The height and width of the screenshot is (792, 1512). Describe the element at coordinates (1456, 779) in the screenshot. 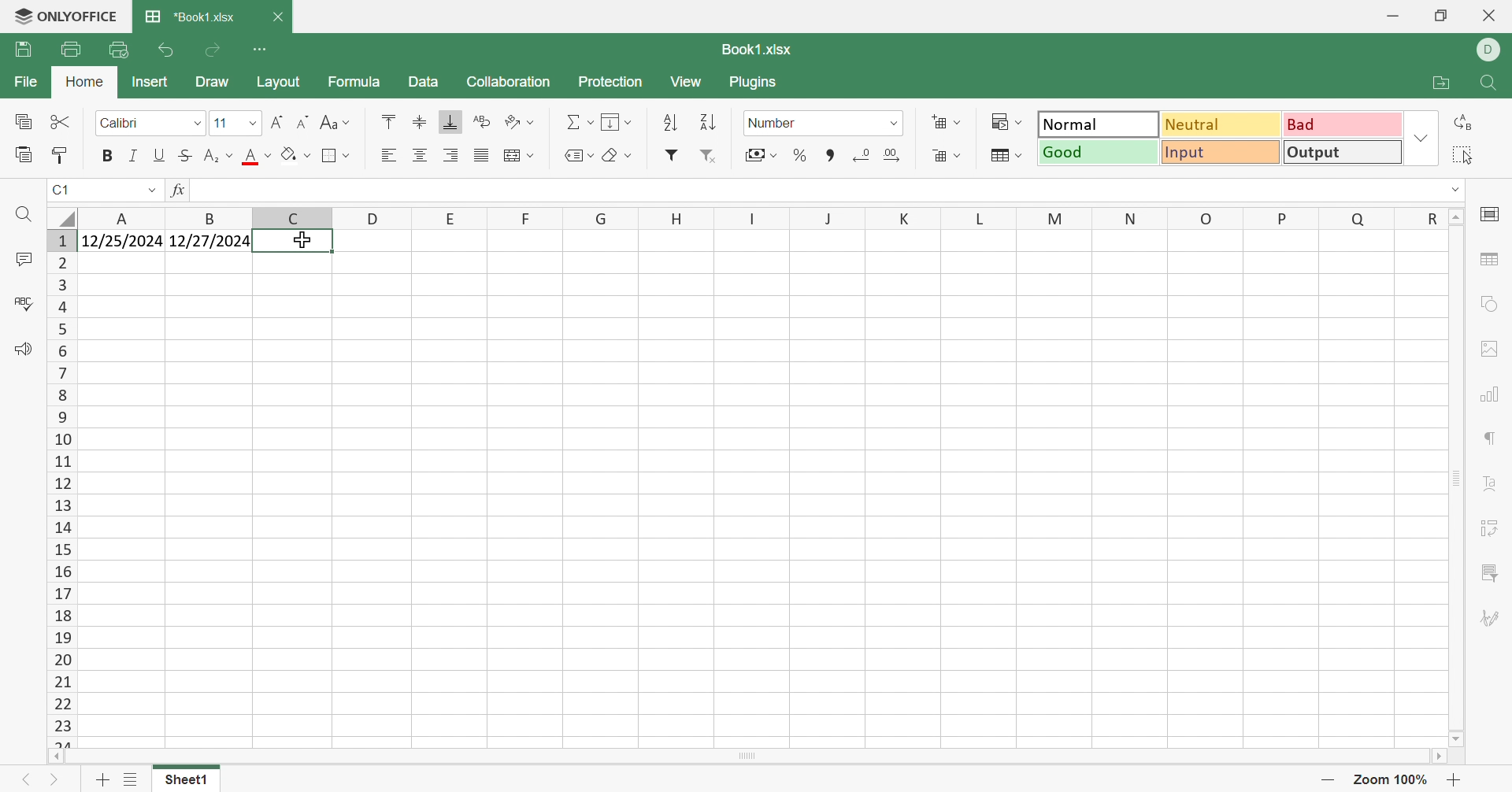

I see `Zoom In` at that location.